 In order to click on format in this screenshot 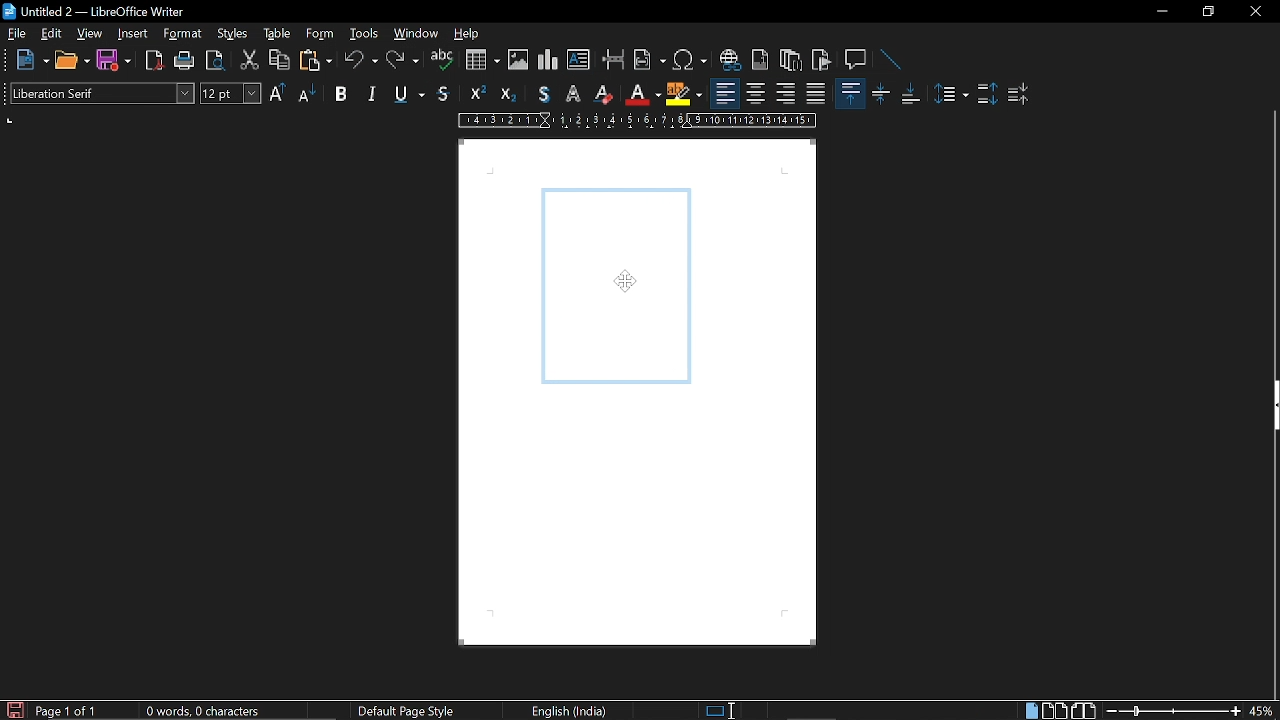, I will do `click(185, 35)`.